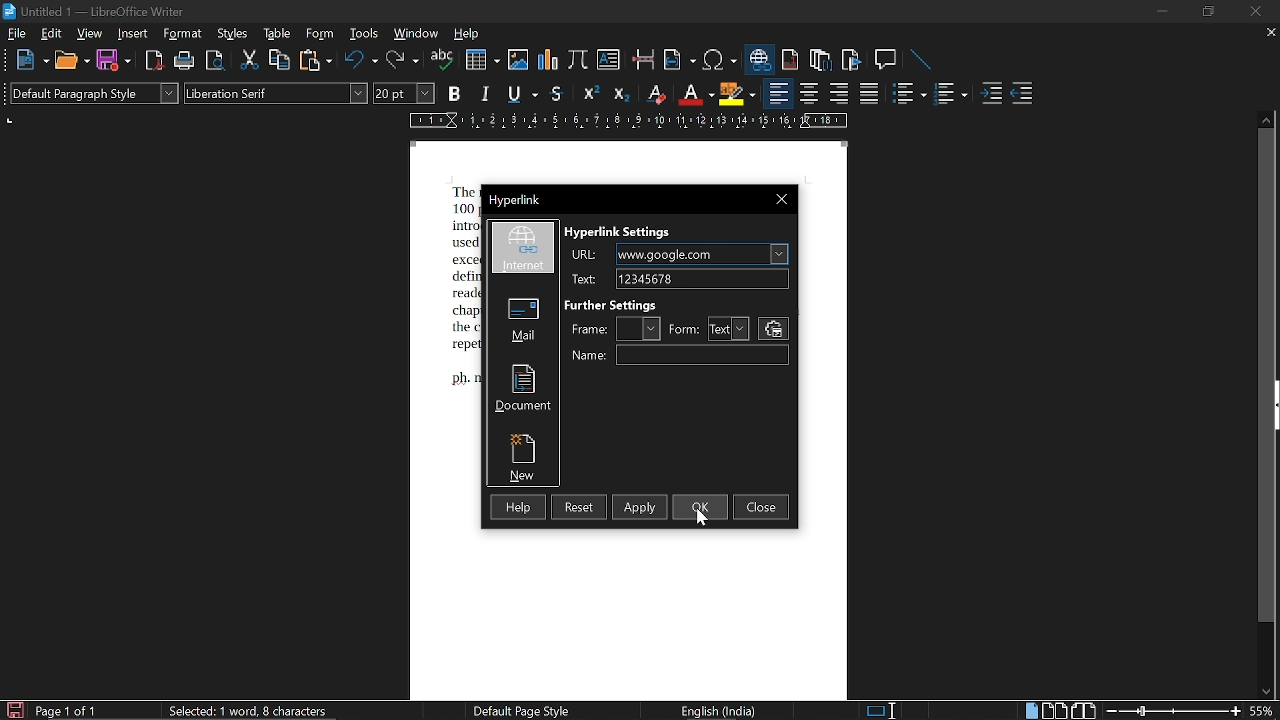 The width and height of the screenshot is (1280, 720). What do you see at coordinates (522, 386) in the screenshot?
I see `document` at bounding box center [522, 386].